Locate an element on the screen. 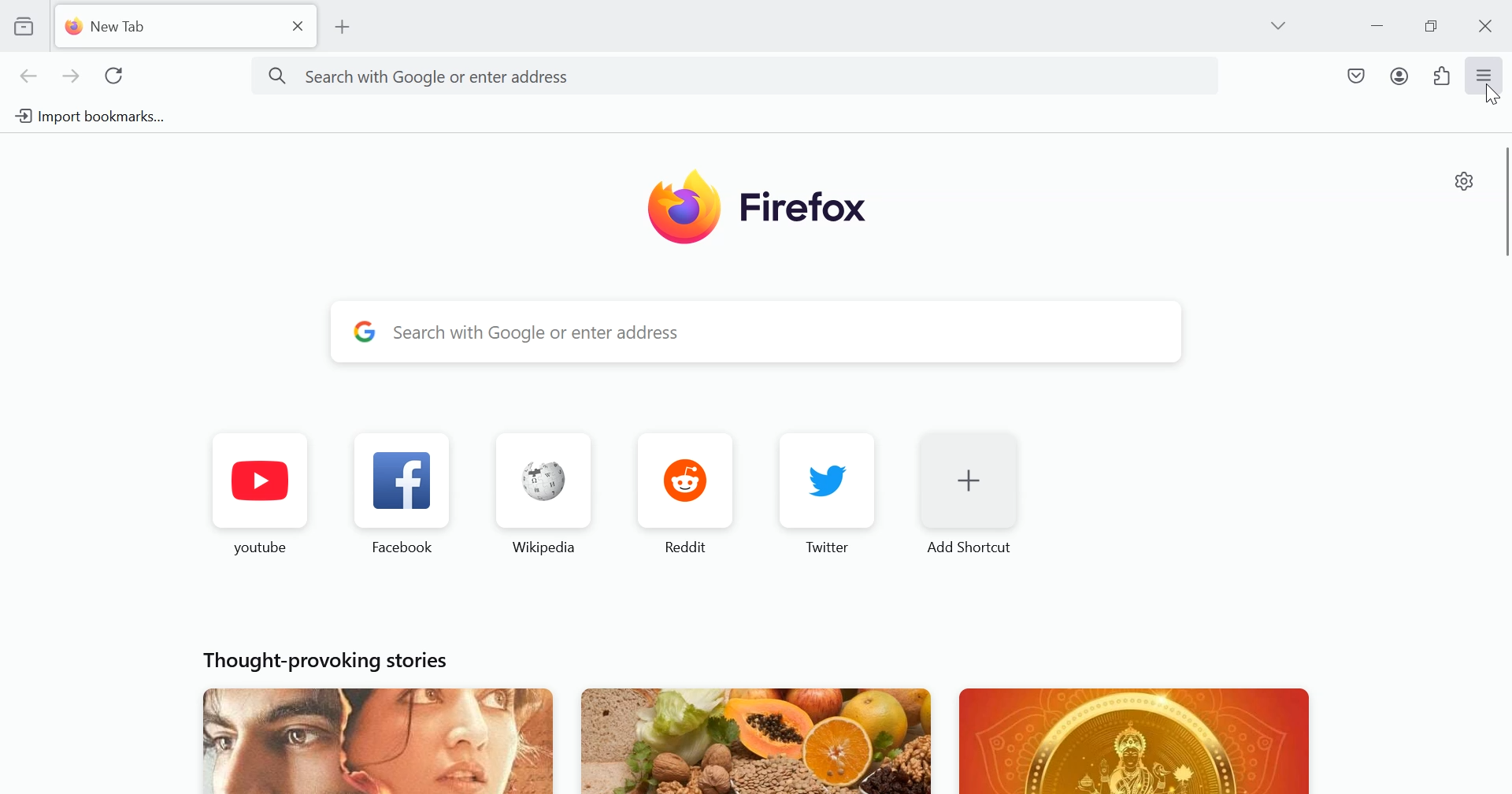  Back is located at coordinates (29, 77).